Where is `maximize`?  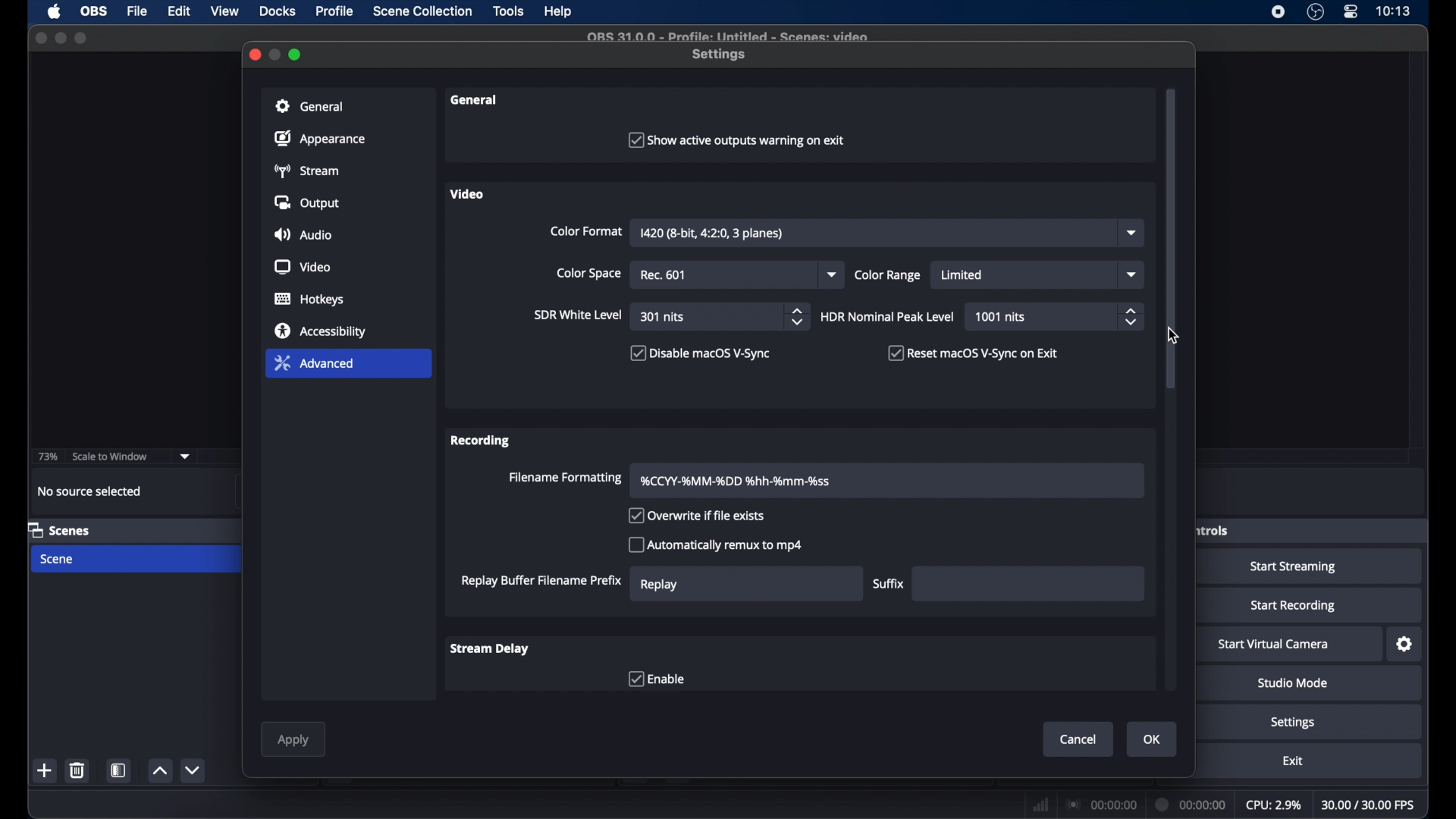 maximize is located at coordinates (83, 38).